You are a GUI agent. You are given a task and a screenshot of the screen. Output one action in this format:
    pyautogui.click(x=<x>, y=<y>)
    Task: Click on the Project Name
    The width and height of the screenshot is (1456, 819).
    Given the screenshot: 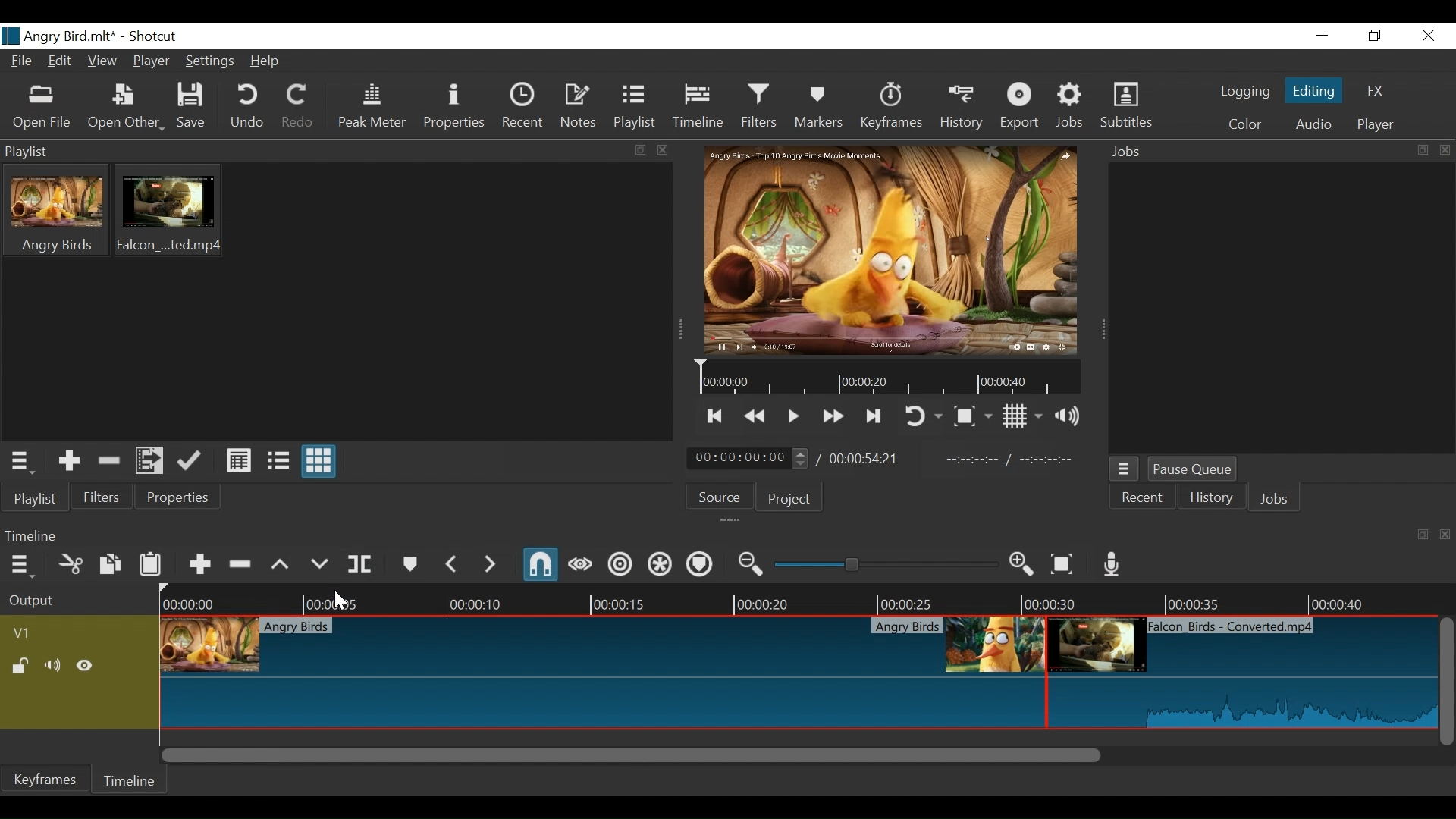 What is the action you would take?
    pyautogui.click(x=58, y=36)
    